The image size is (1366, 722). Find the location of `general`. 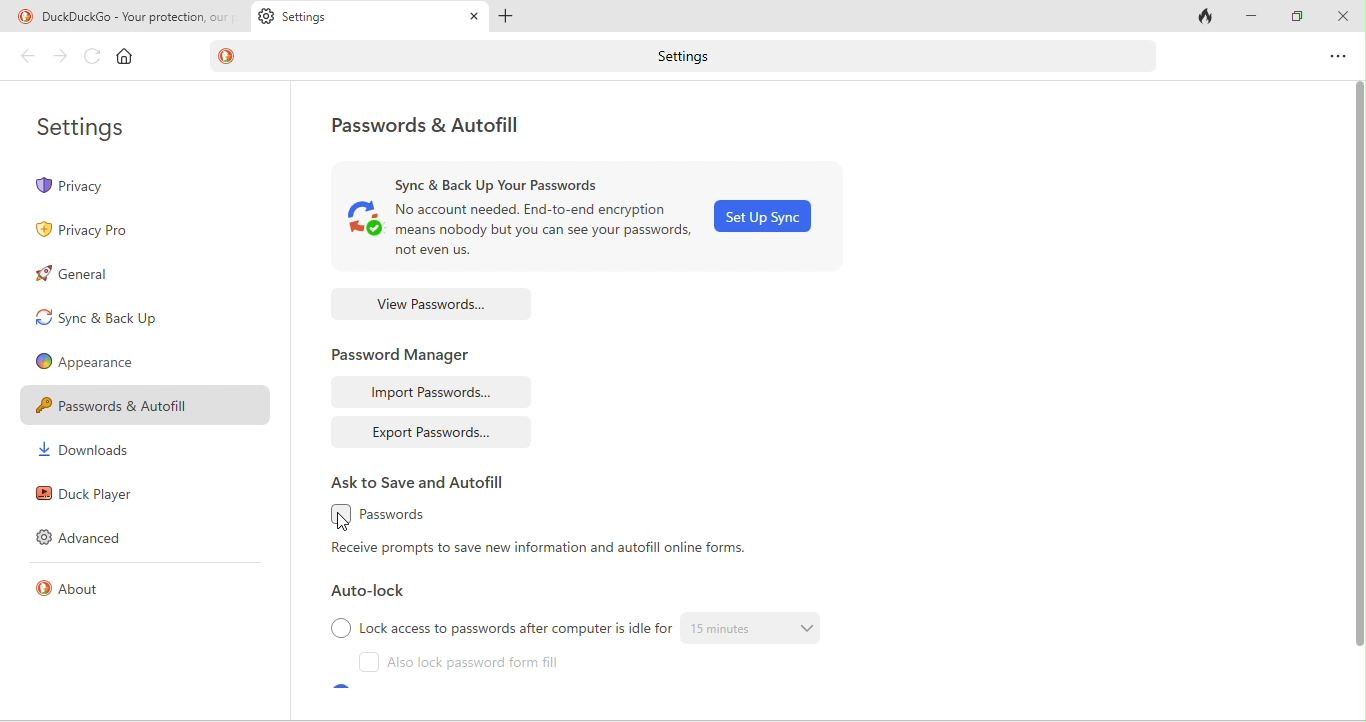

general is located at coordinates (74, 274).